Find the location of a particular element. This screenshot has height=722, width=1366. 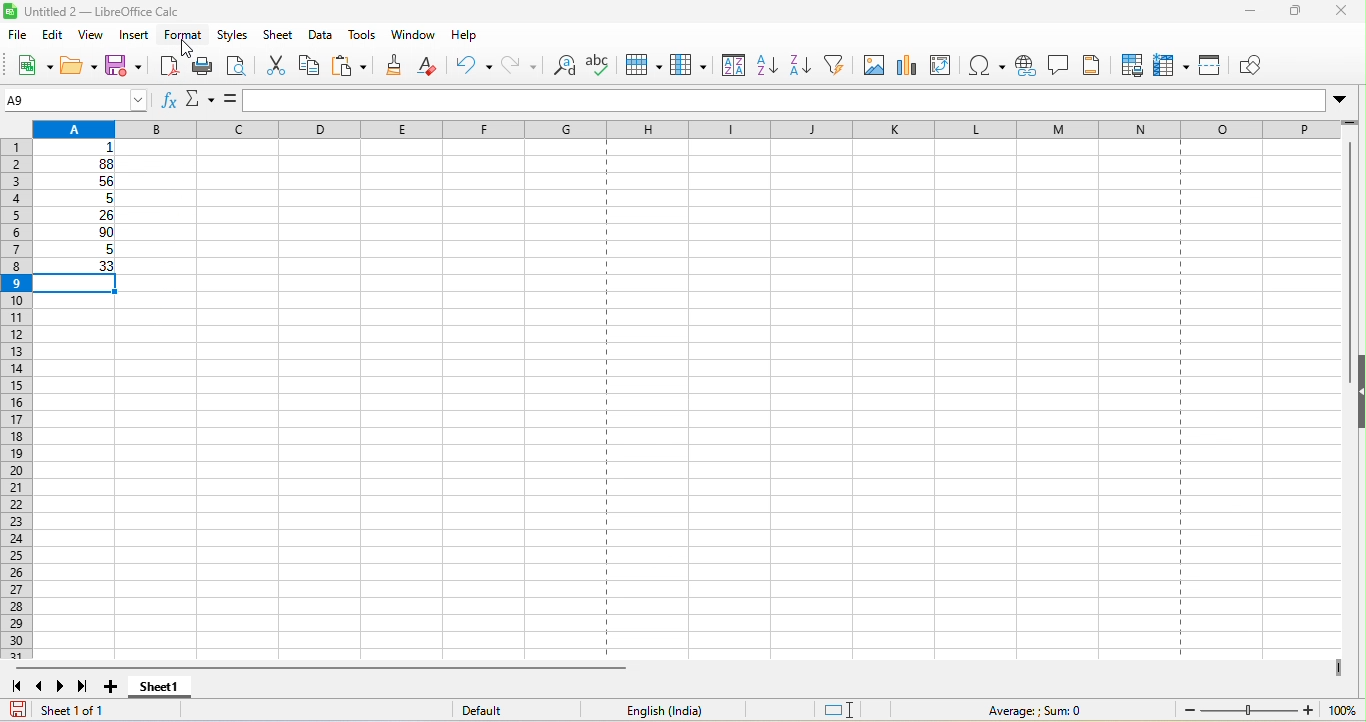

spelling is located at coordinates (598, 70).